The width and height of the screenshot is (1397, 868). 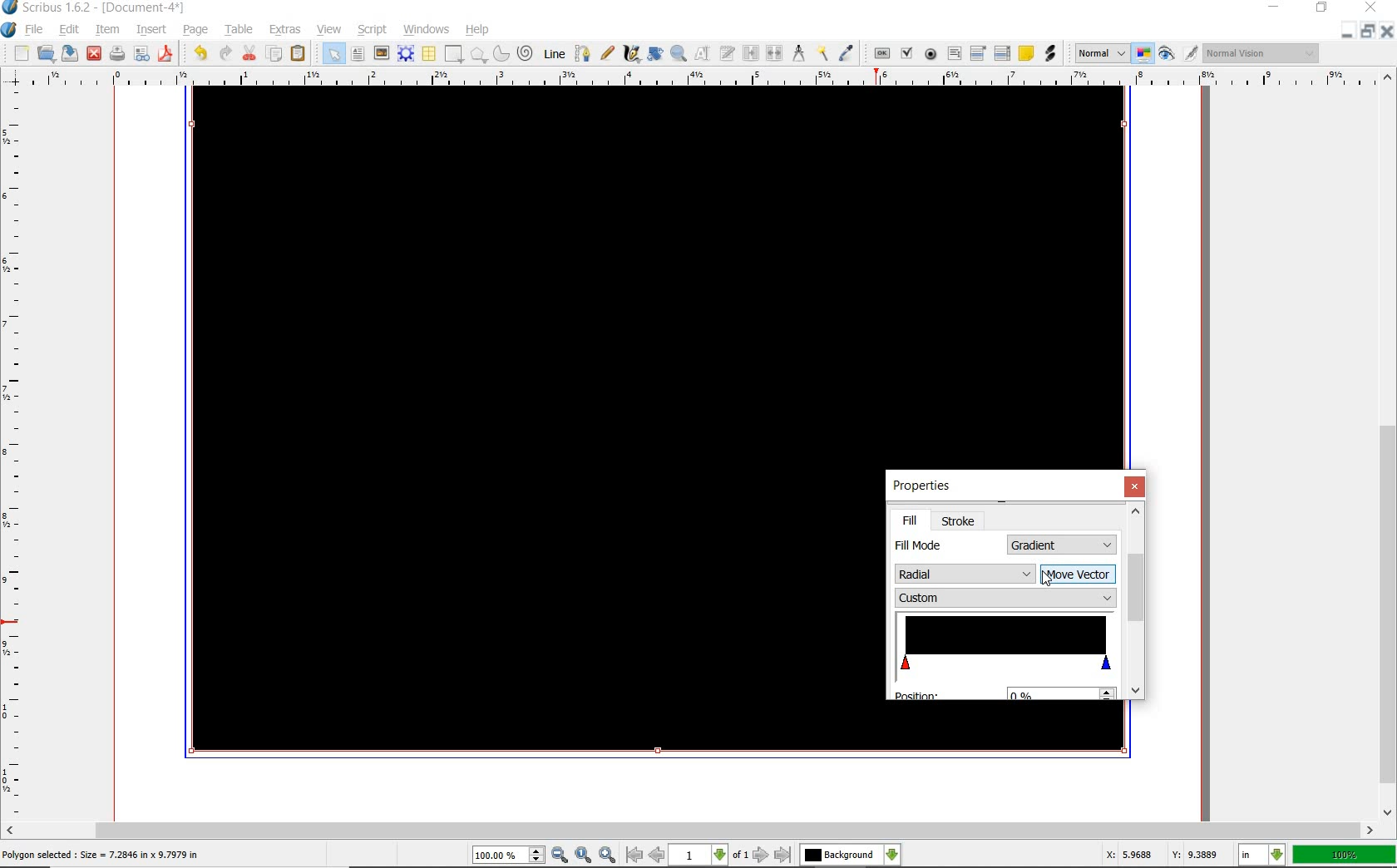 What do you see at coordinates (1275, 7) in the screenshot?
I see `minimize` at bounding box center [1275, 7].